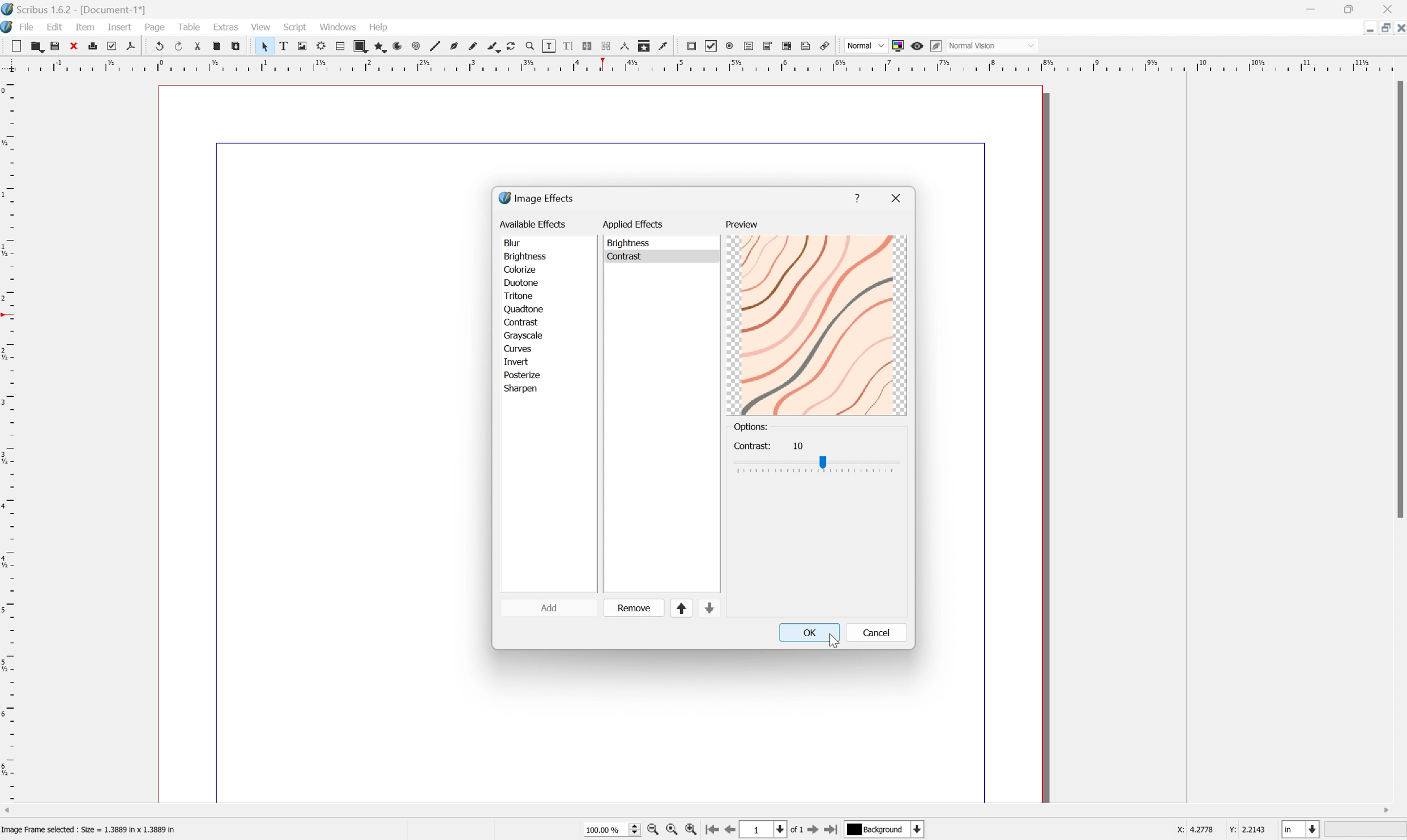 The width and height of the screenshot is (1407, 840). I want to click on Zoom Out, so click(652, 831).